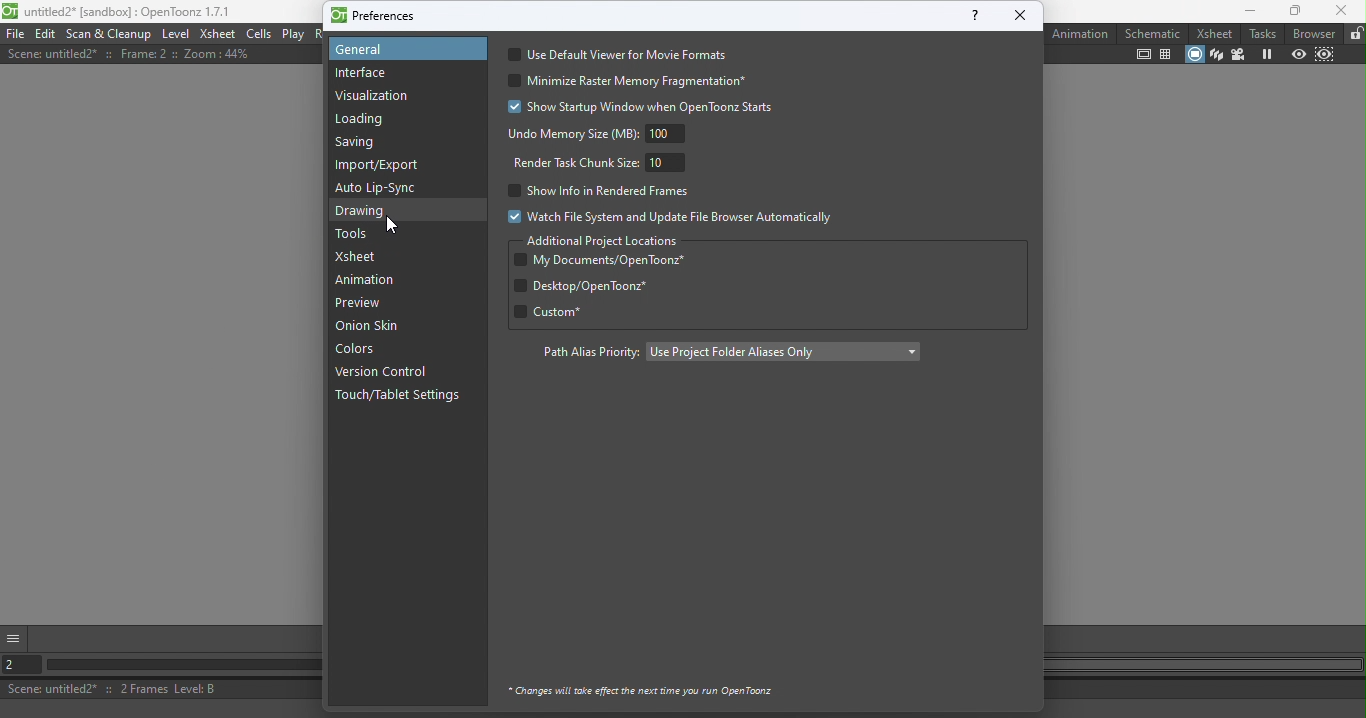 This screenshot has height=718, width=1366. What do you see at coordinates (573, 286) in the screenshot?
I see `Desktop/OpenToonz*` at bounding box center [573, 286].